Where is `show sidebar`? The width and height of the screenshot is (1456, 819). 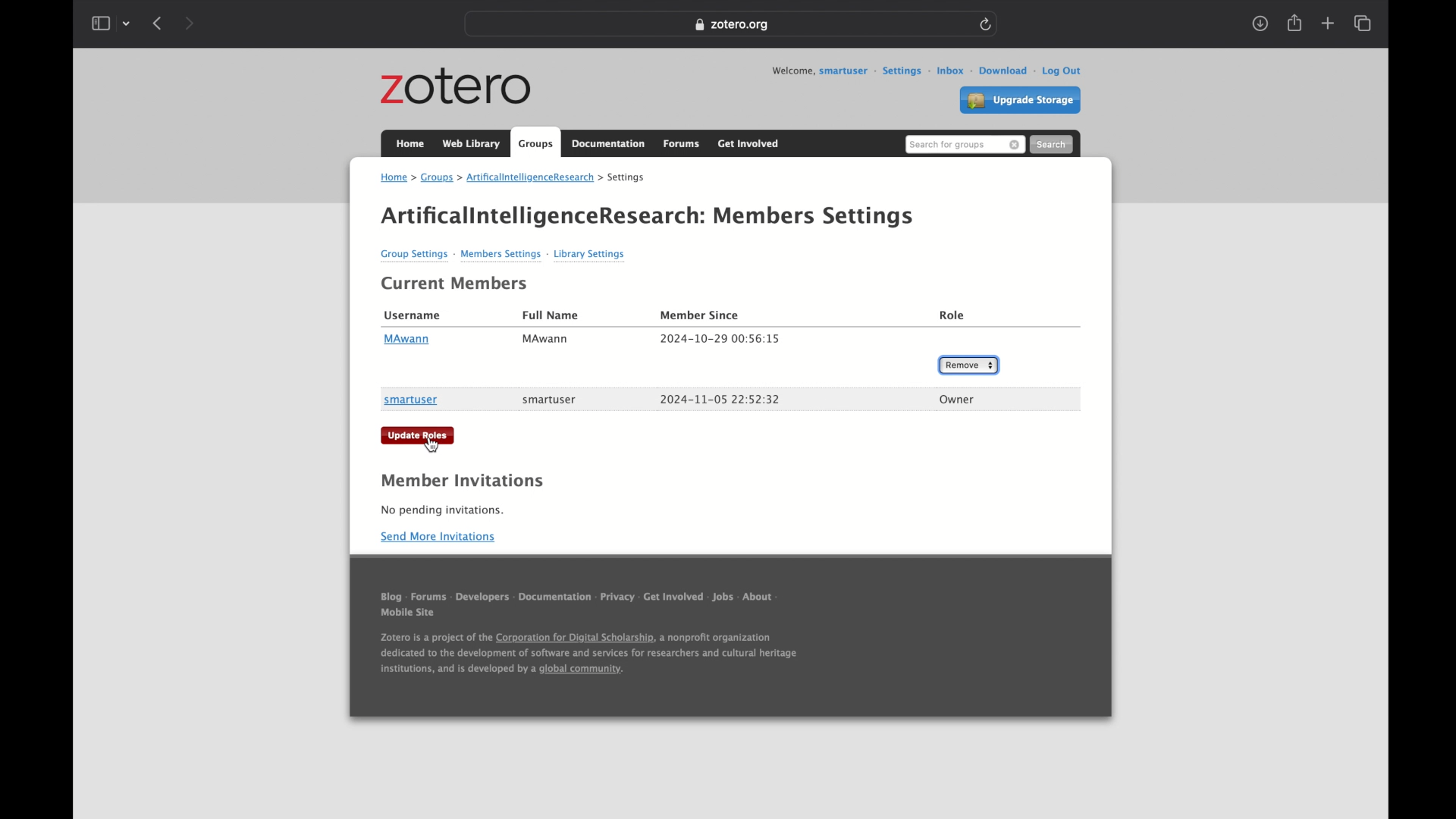 show sidebar is located at coordinates (100, 24).